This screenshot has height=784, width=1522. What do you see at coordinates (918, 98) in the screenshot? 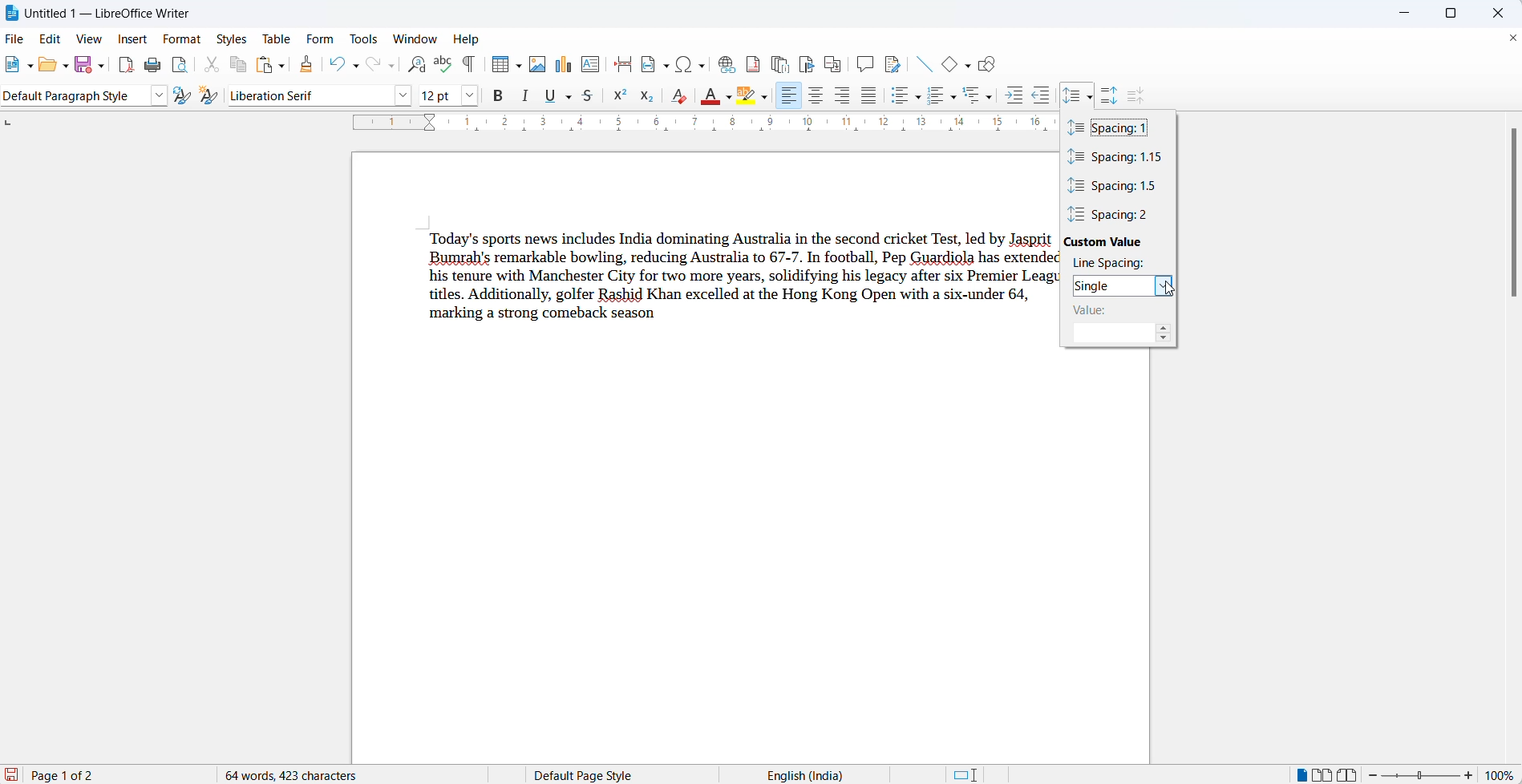
I see `toggle unordered list` at bounding box center [918, 98].